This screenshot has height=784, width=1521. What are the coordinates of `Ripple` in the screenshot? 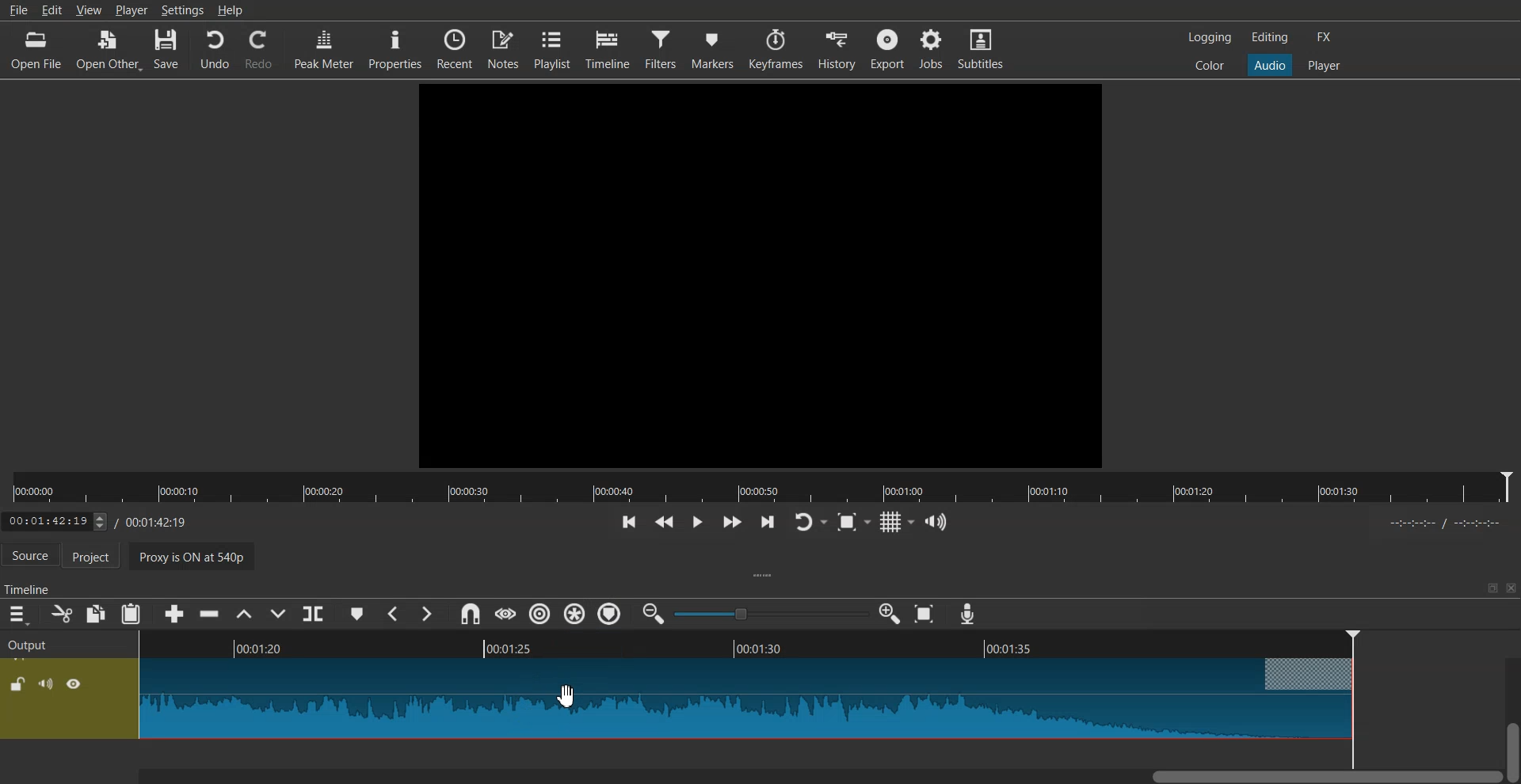 It's located at (542, 615).